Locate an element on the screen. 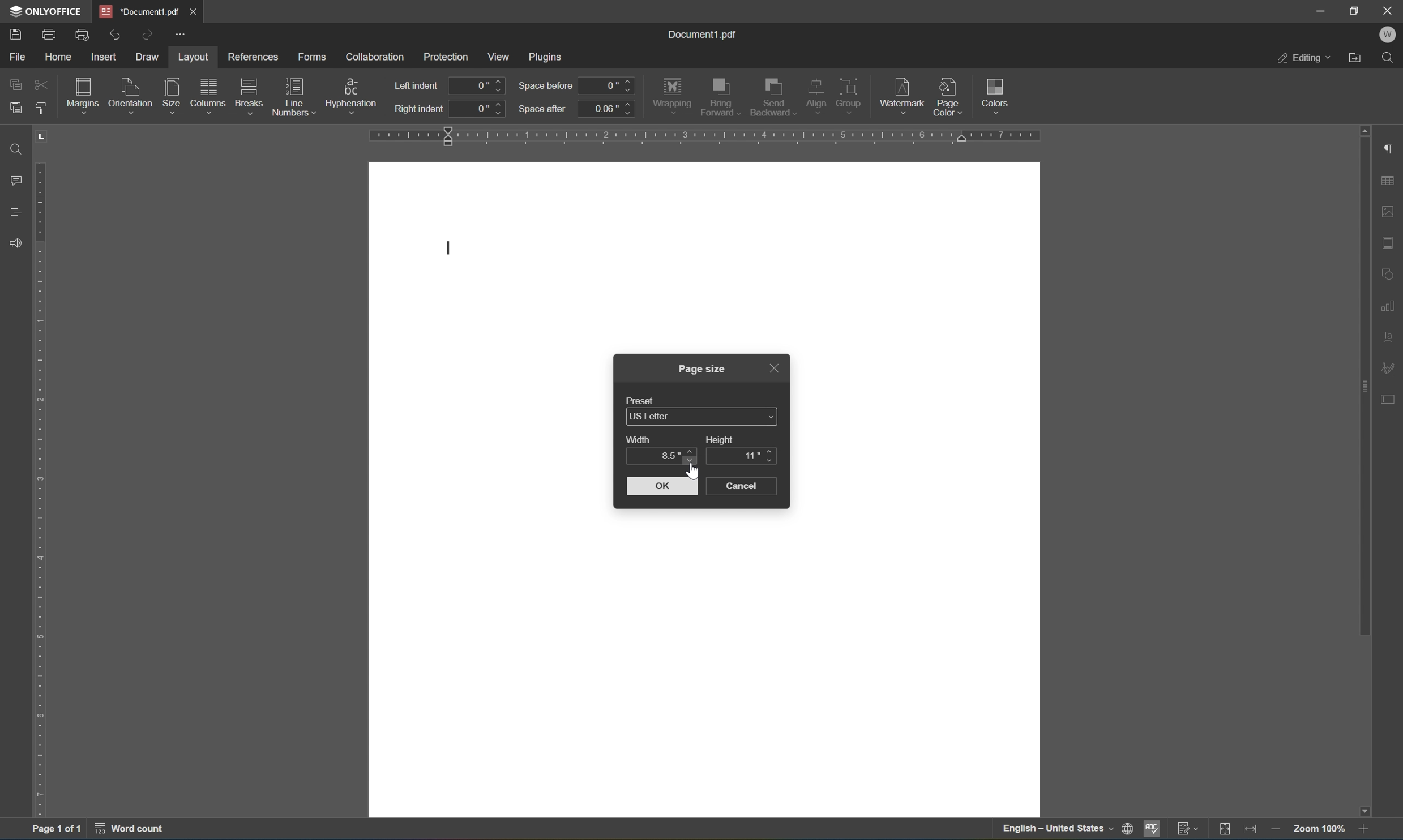  comments is located at coordinates (13, 181).